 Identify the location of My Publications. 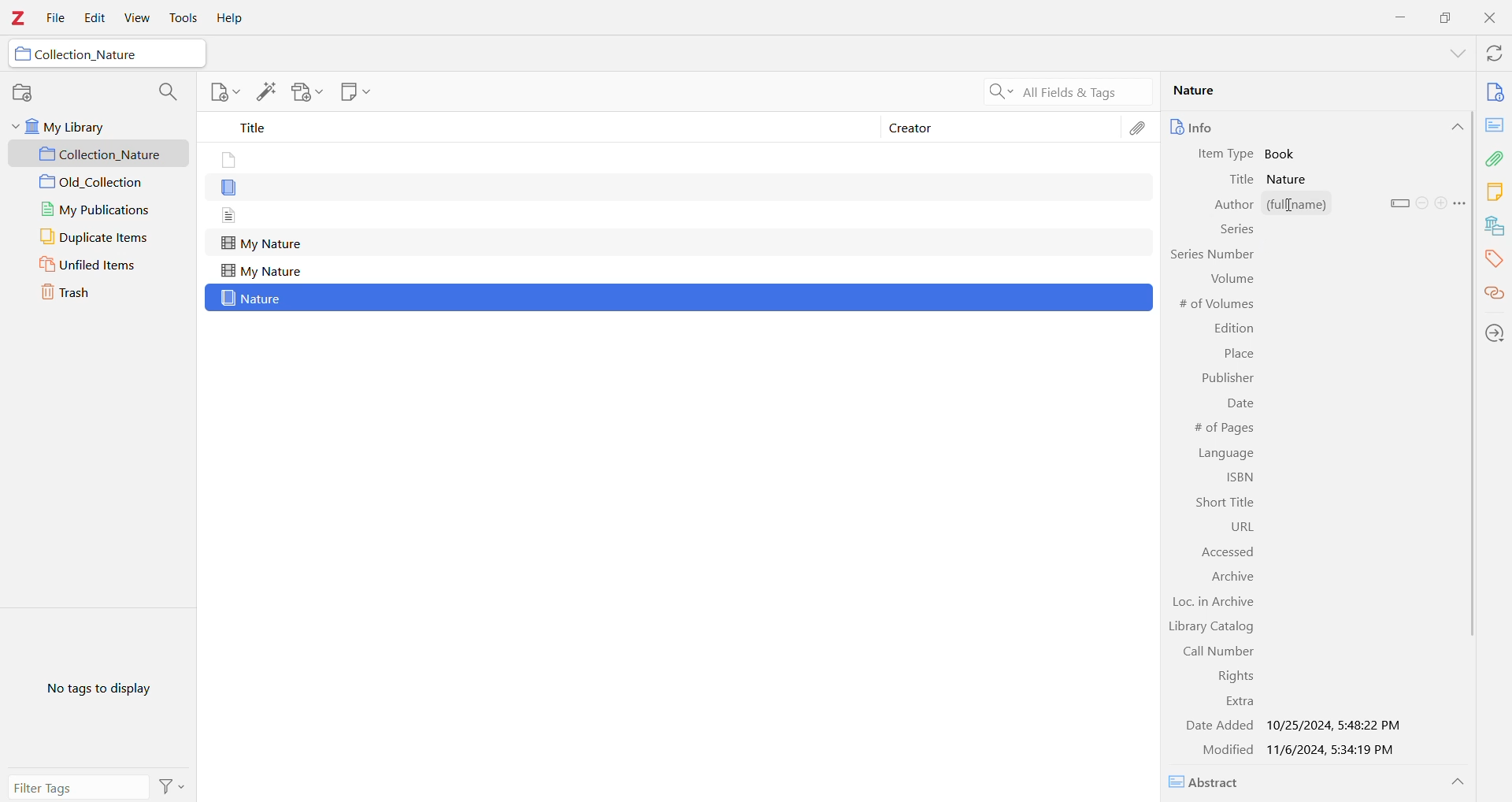
(98, 211).